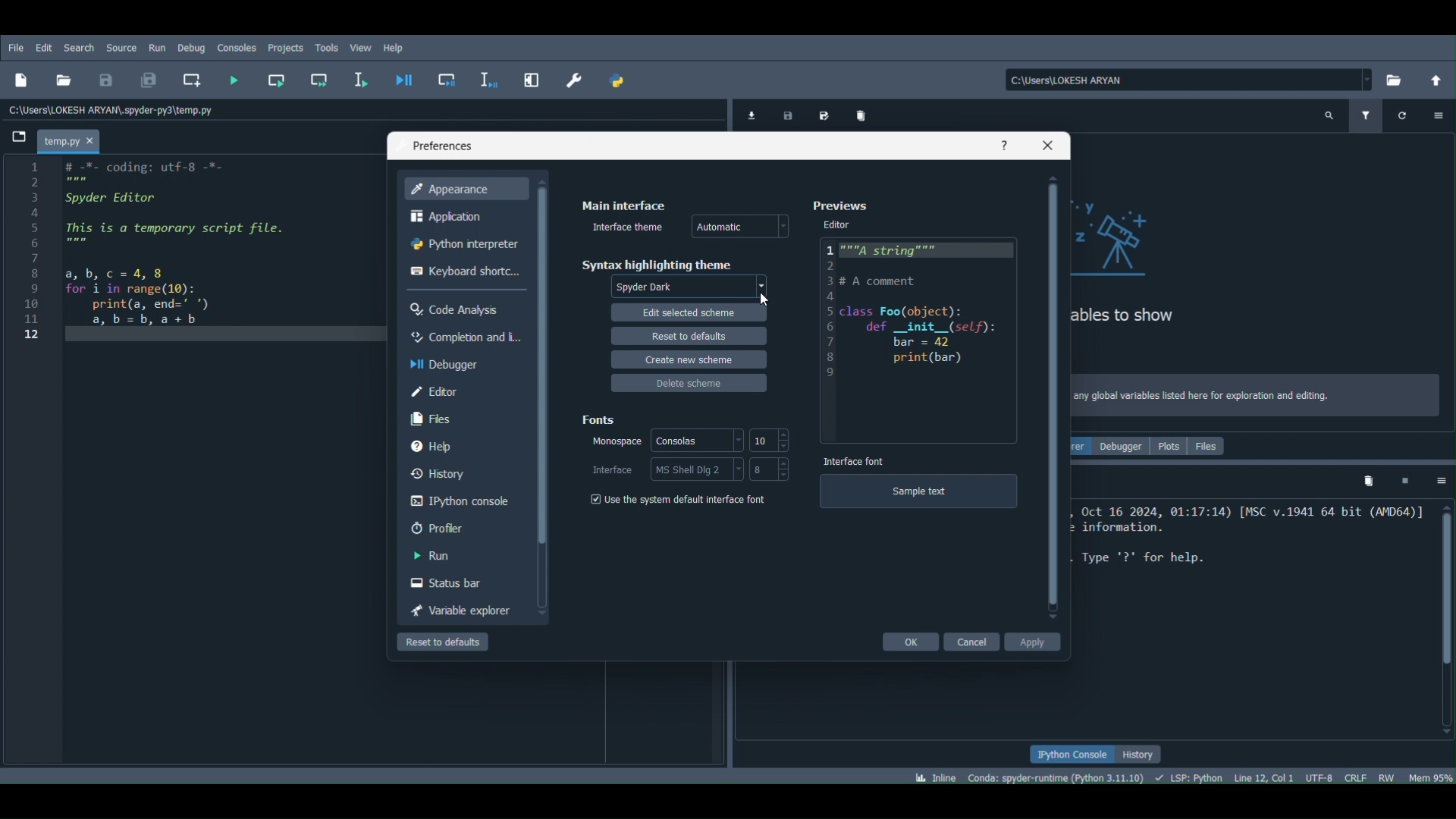 The width and height of the screenshot is (1456, 819). Describe the element at coordinates (1143, 752) in the screenshot. I see `History` at that location.